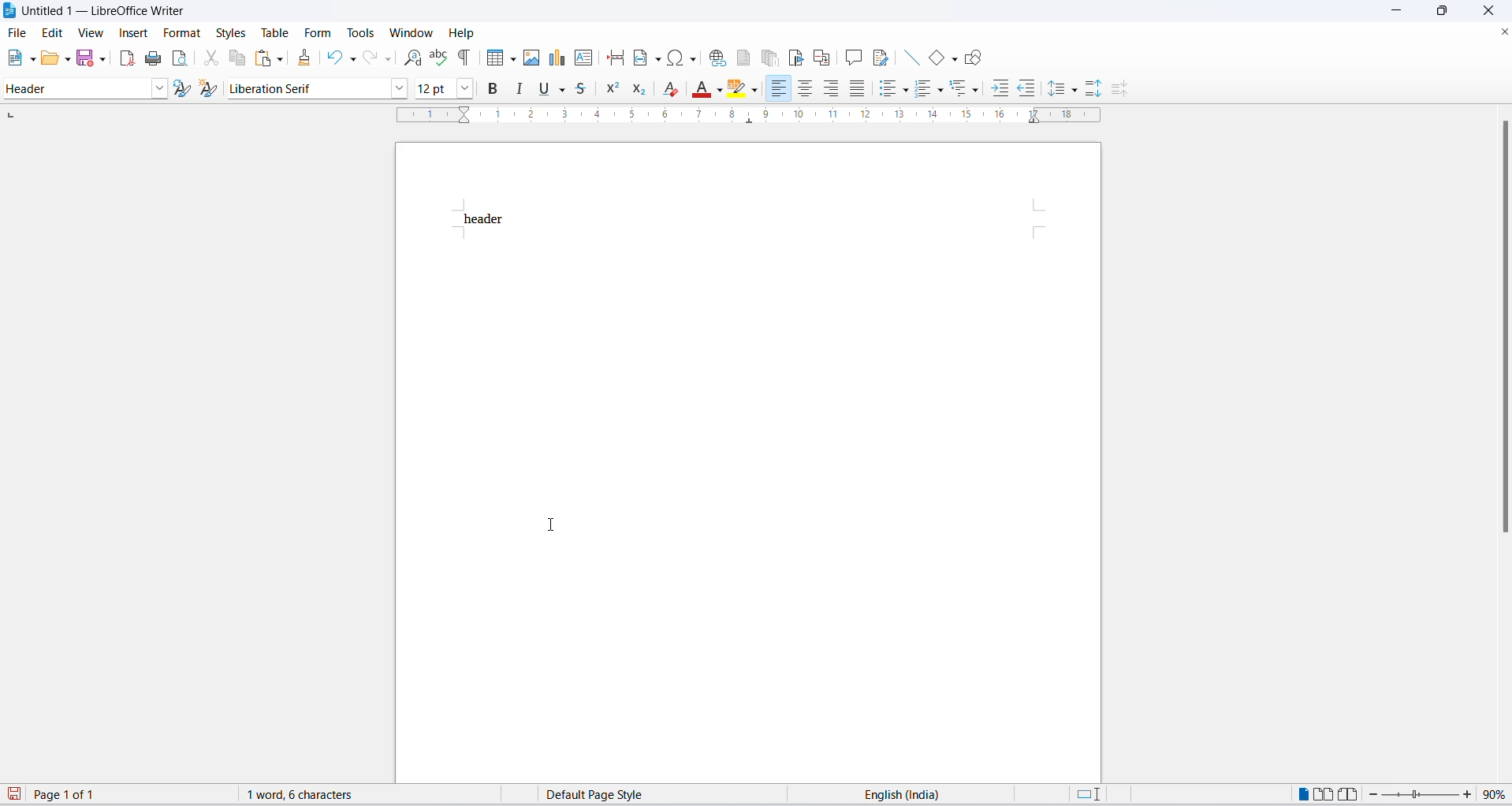 The image size is (1512, 806). Describe the element at coordinates (491, 58) in the screenshot. I see `insert grid` at that location.